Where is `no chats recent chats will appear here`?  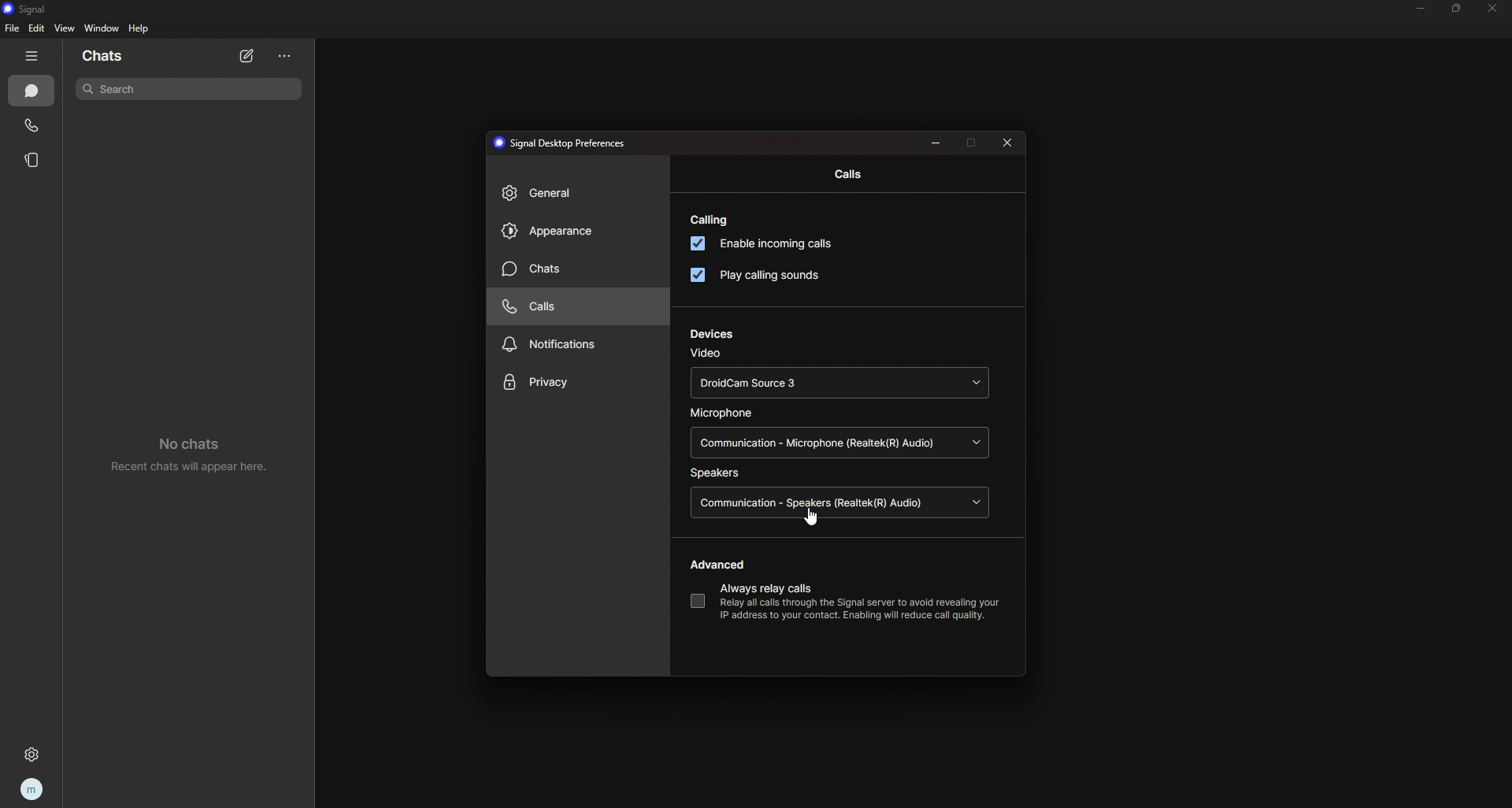
no chats recent chats will appear here is located at coordinates (197, 458).